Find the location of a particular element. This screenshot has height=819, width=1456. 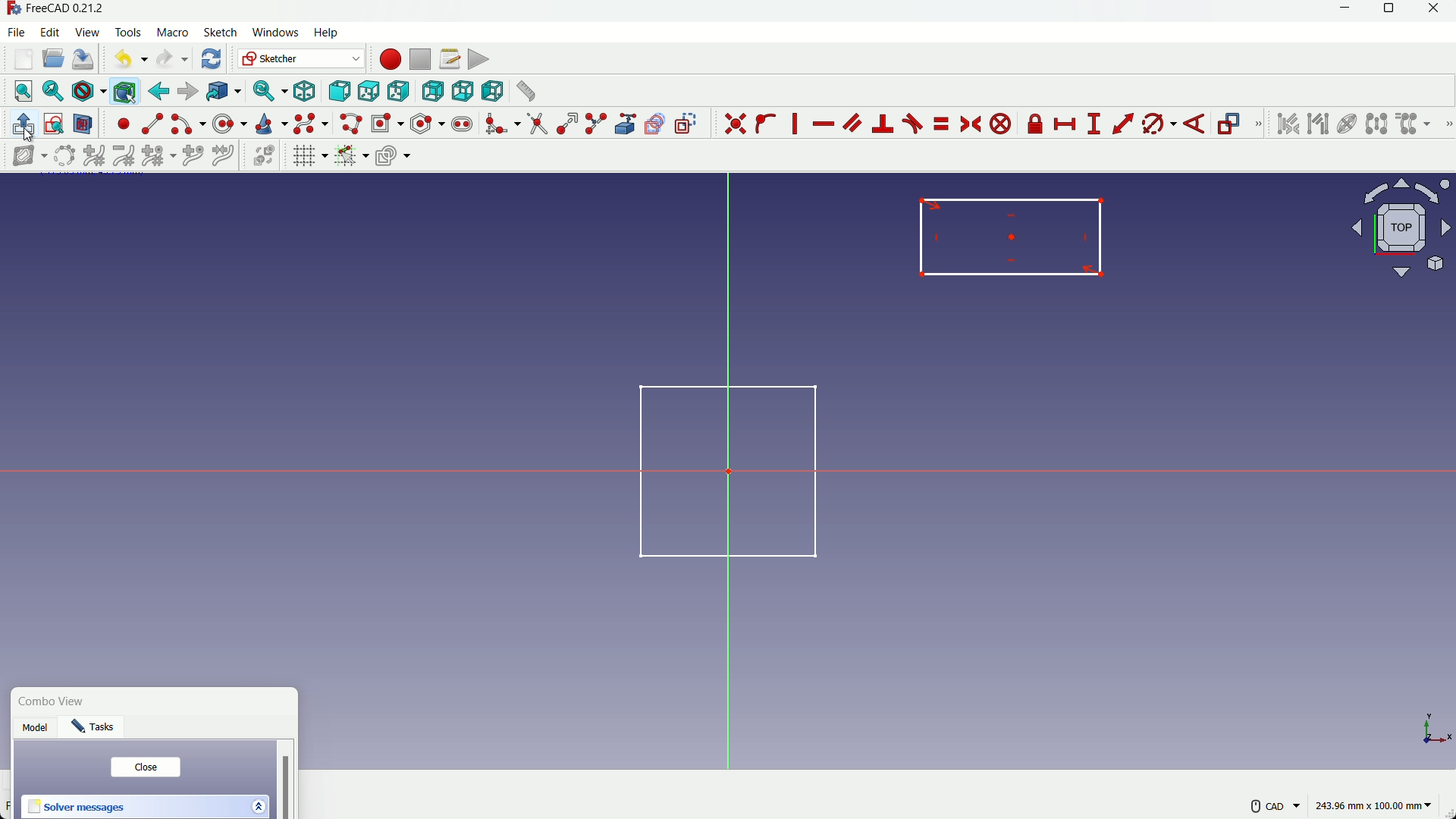

undo is located at coordinates (127, 58).